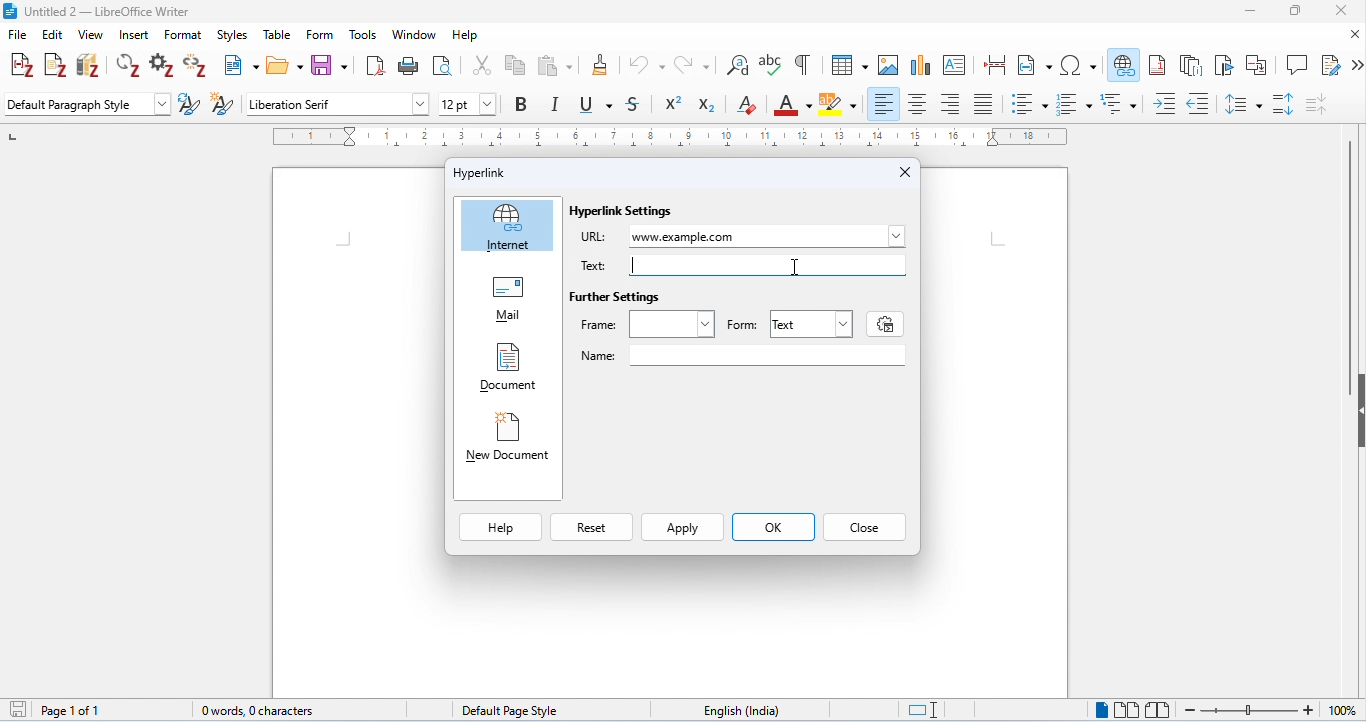 This screenshot has height=722, width=1366. I want to click on clone, so click(602, 65).